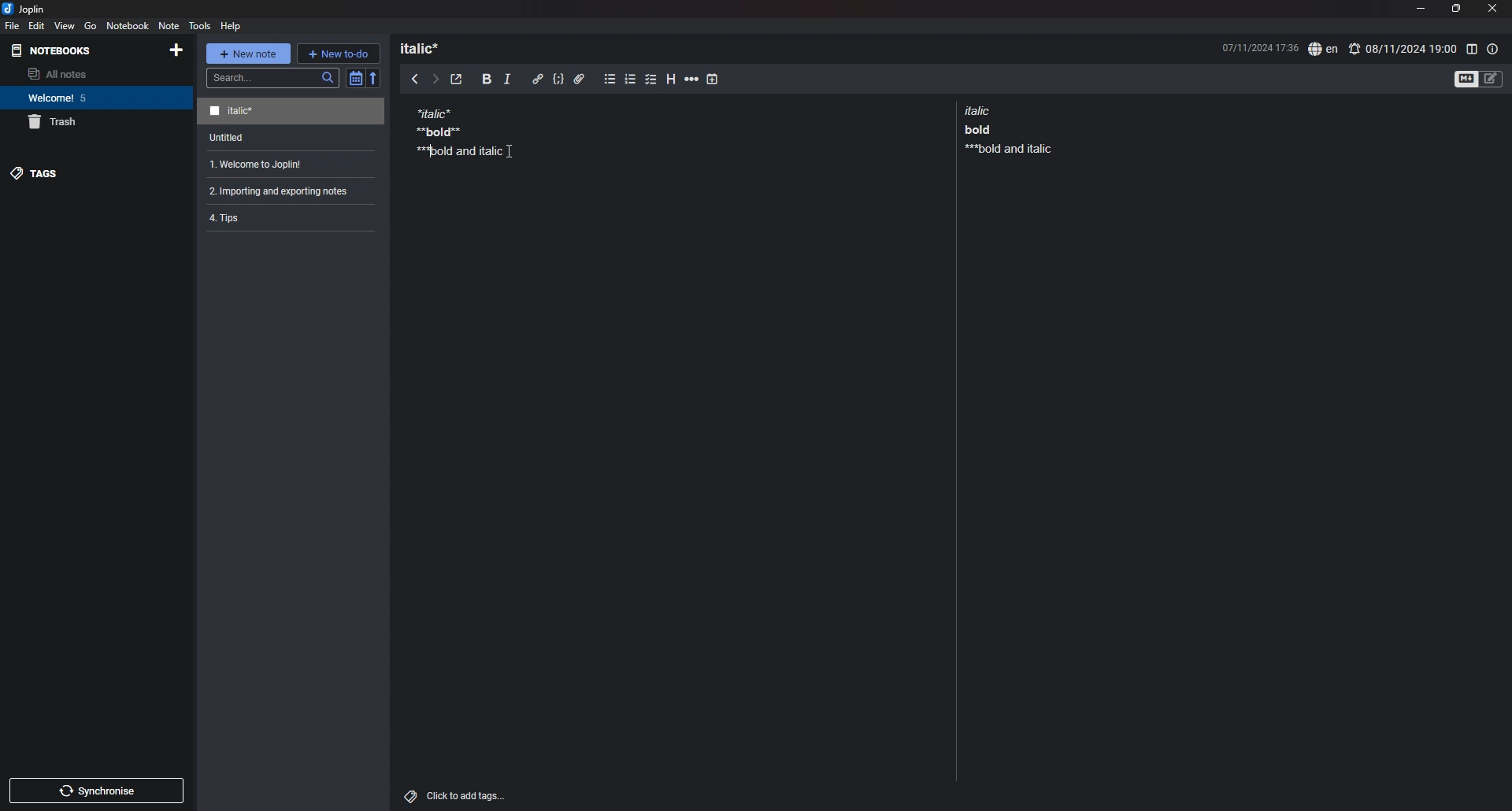 The image size is (1512, 811). What do you see at coordinates (168, 25) in the screenshot?
I see `note` at bounding box center [168, 25].